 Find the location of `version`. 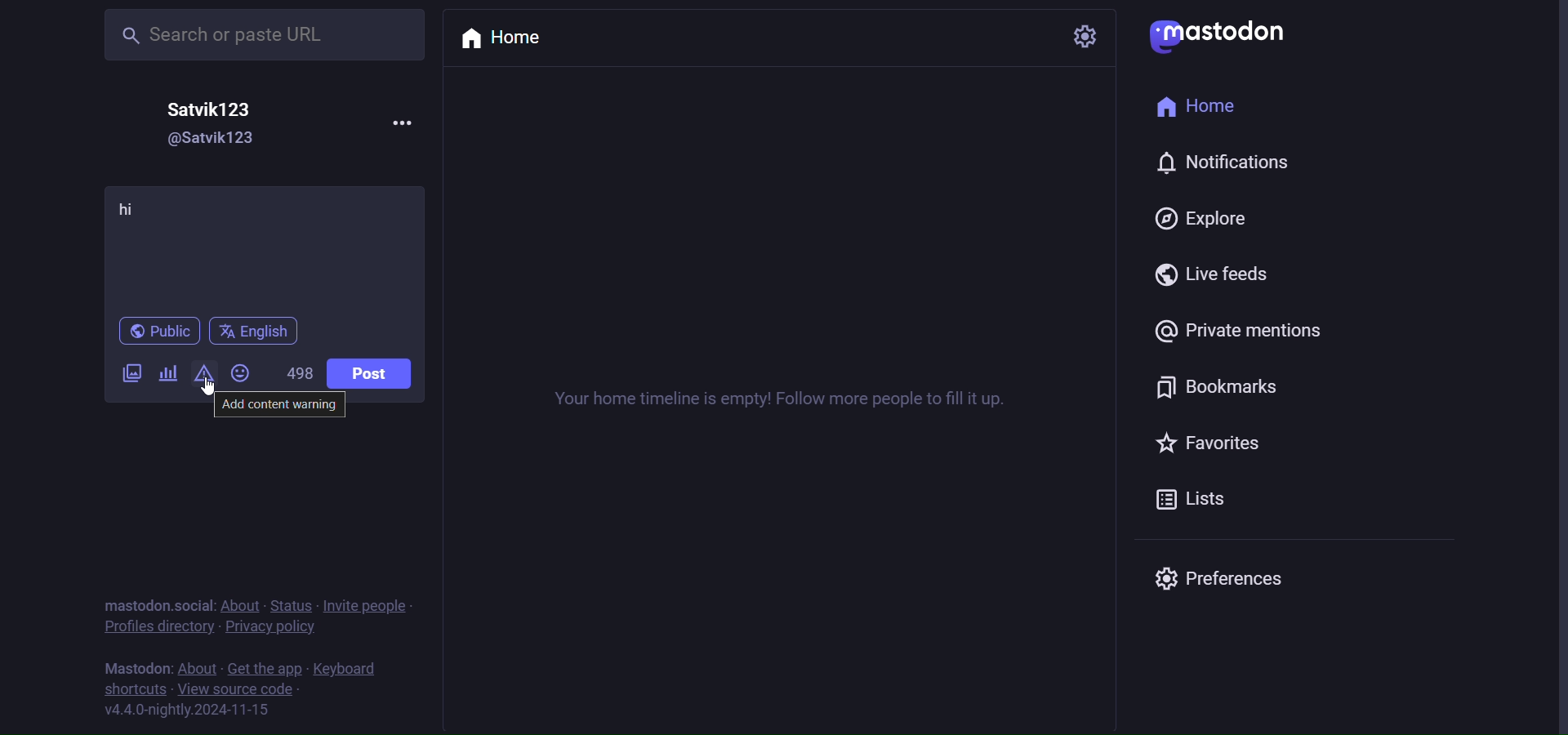

version is located at coordinates (187, 710).